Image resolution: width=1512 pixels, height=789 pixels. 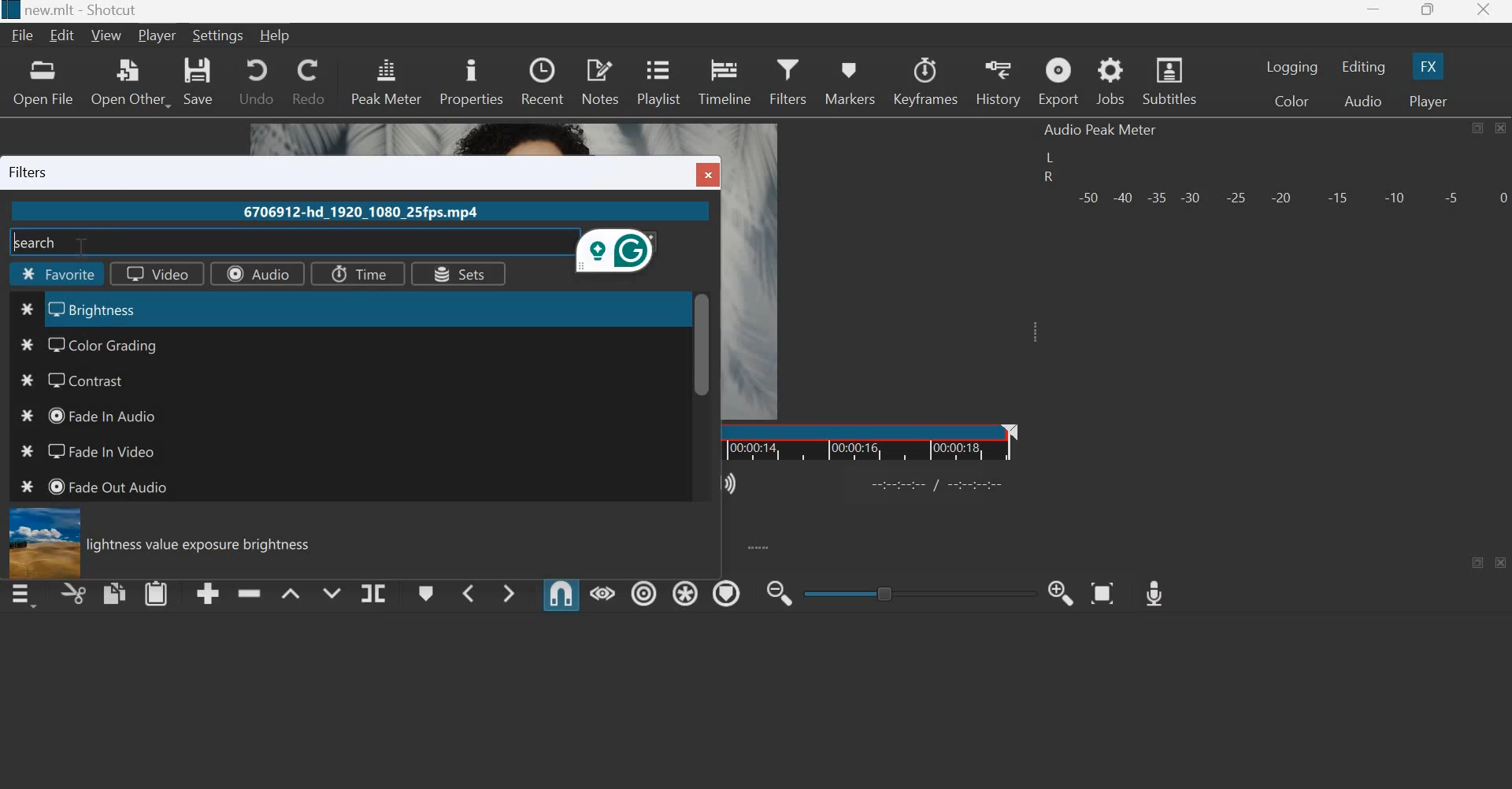 What do you see at coordinates (1363, 102) in the screenshot?
I see `Audio` at bounding box center [1363, 102].